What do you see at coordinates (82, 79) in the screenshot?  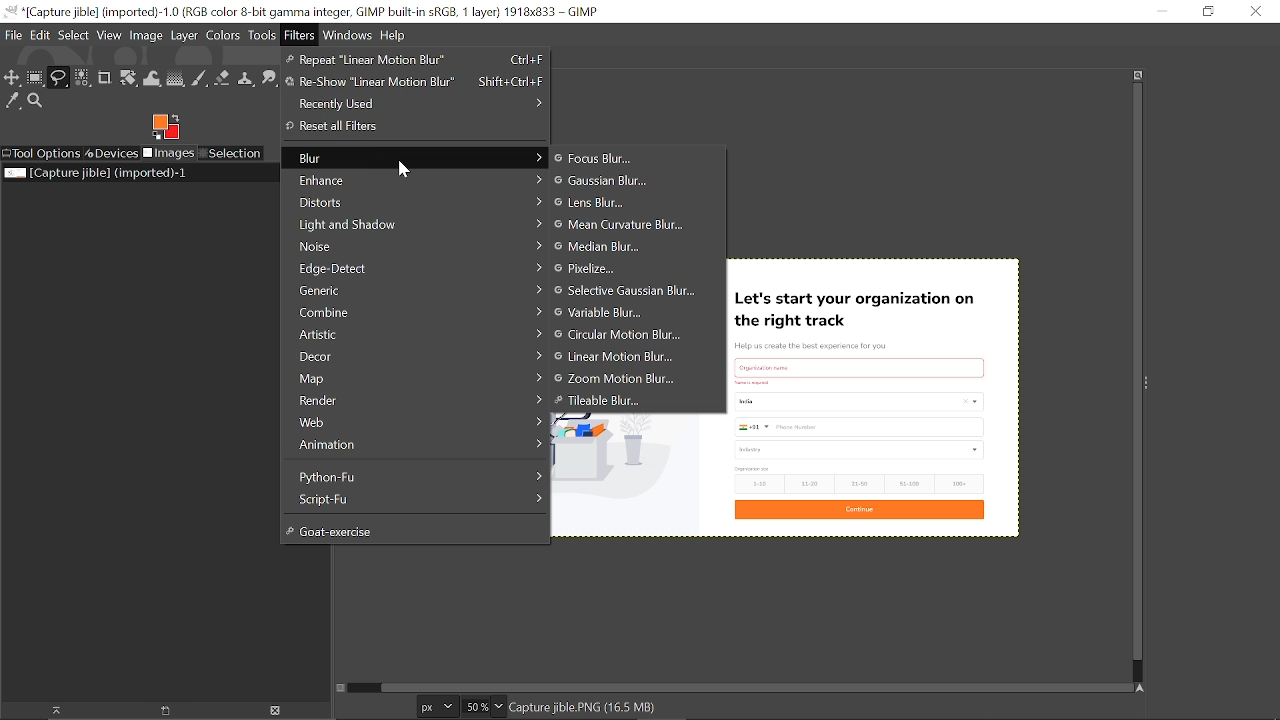 I see `Select by color` at bounding box center [82, 79].